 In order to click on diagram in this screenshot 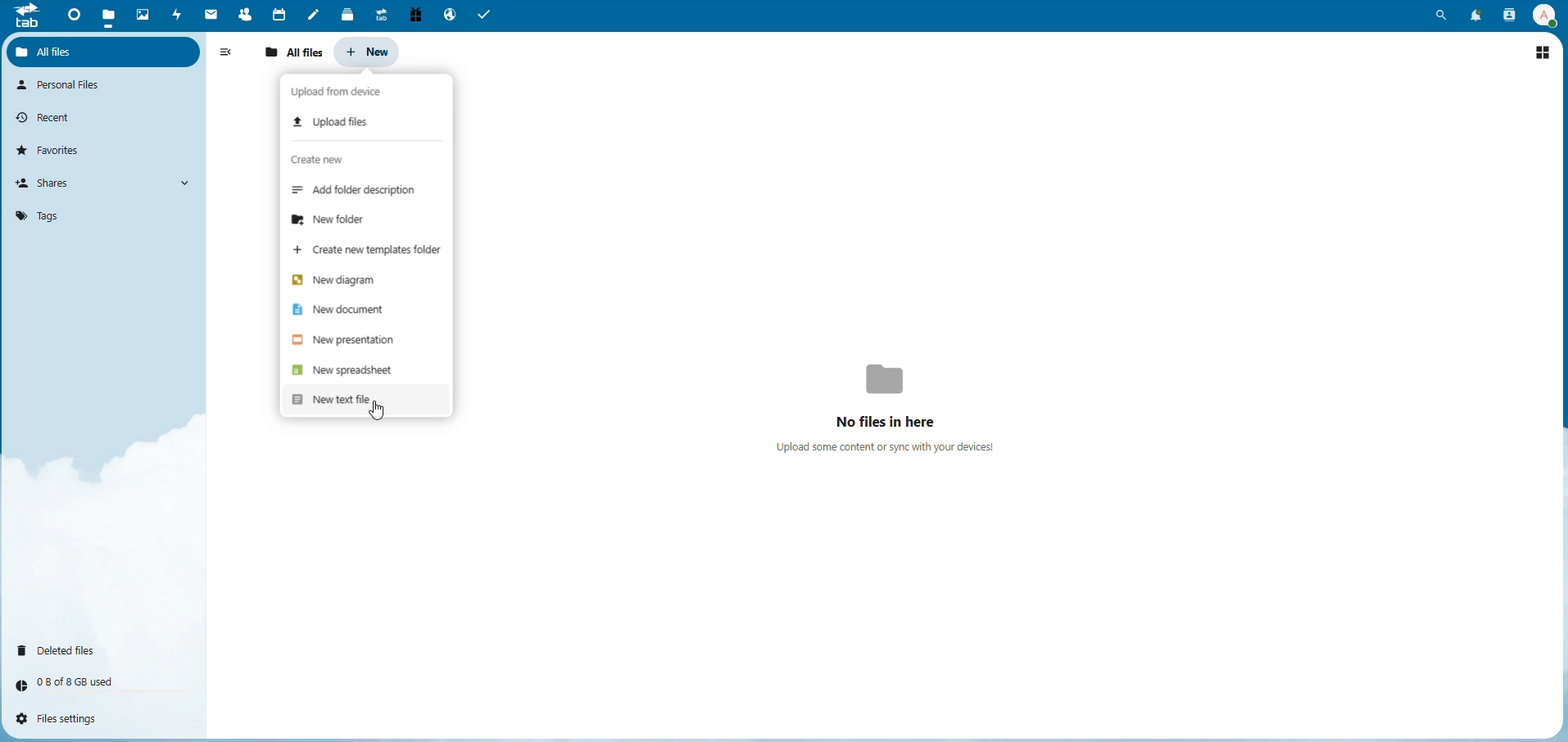, I will do `click(335, 277)`.